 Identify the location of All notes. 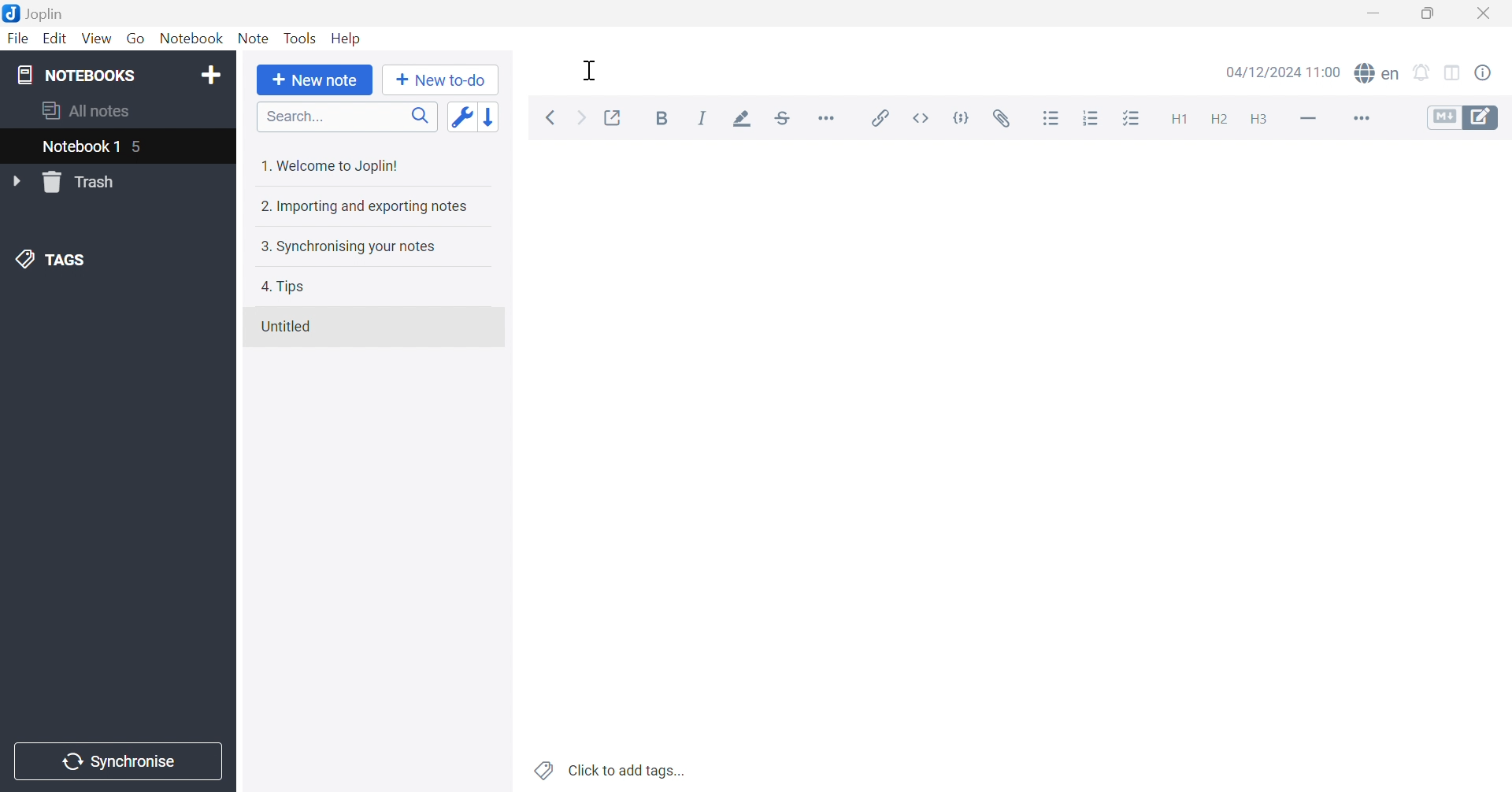
(83, 110).